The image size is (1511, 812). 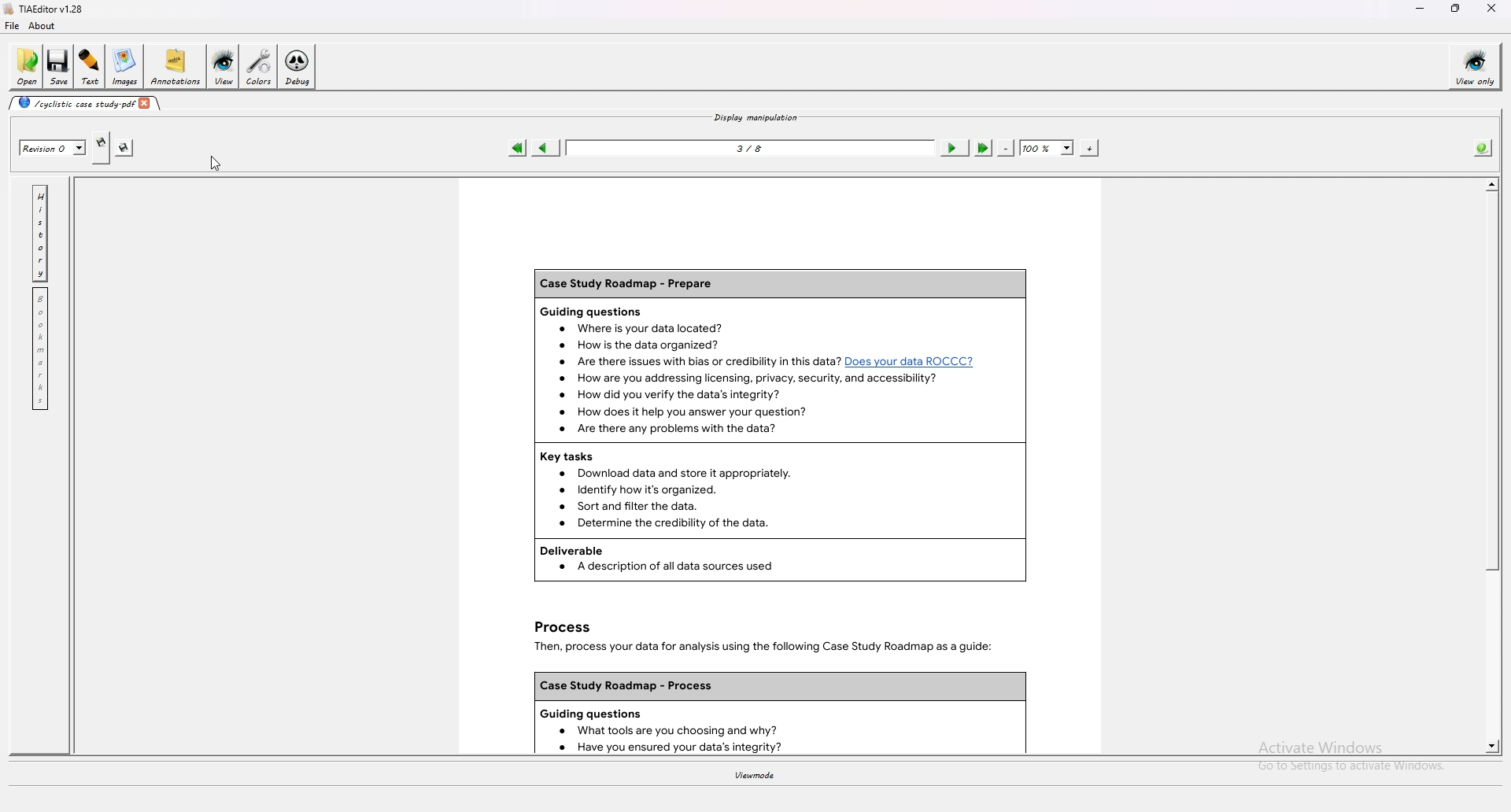 What do you see at coordinates (223, 67) in the screenshot?
I see `view` at bounding box center [223, 67].